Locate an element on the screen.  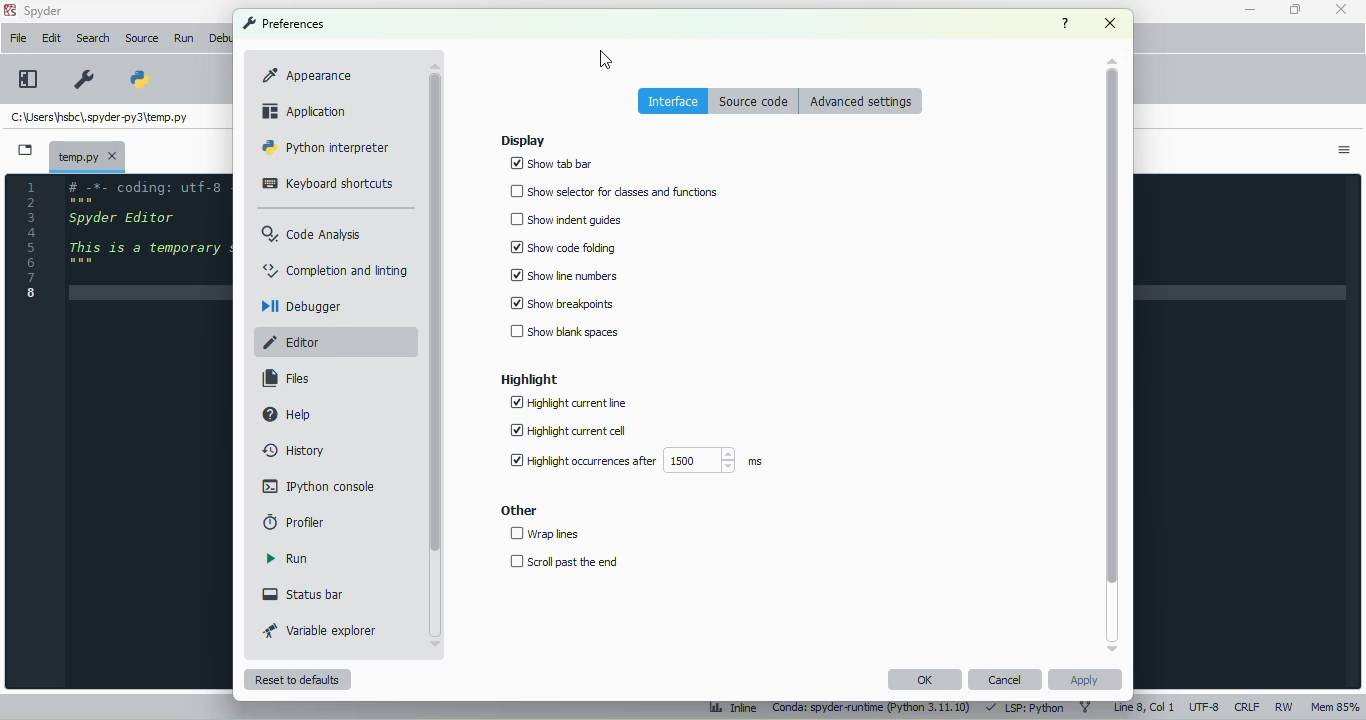
RW is located at coordinates (1284, 707).